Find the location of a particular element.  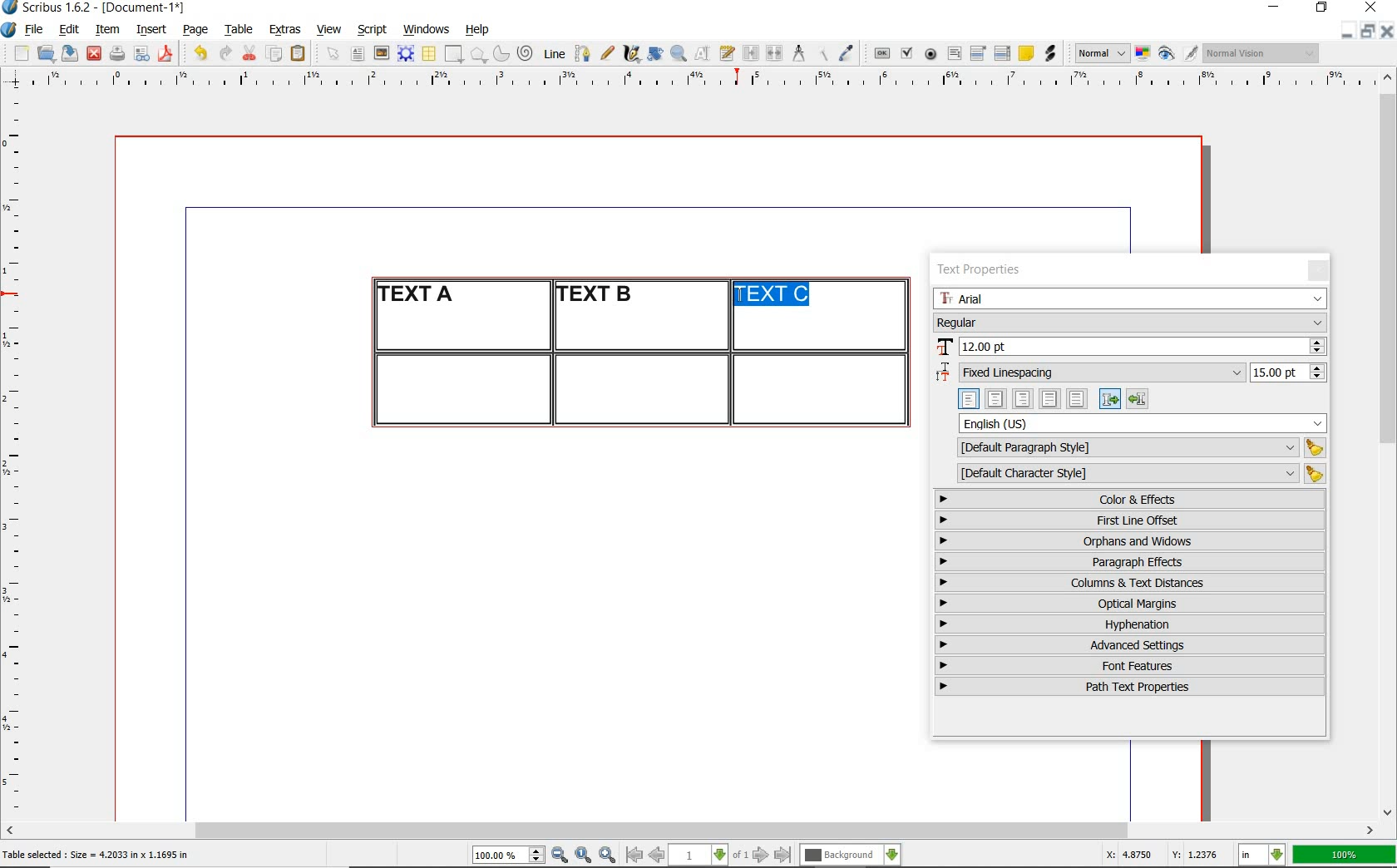

eye dropper is located at coordinates (846, 55).